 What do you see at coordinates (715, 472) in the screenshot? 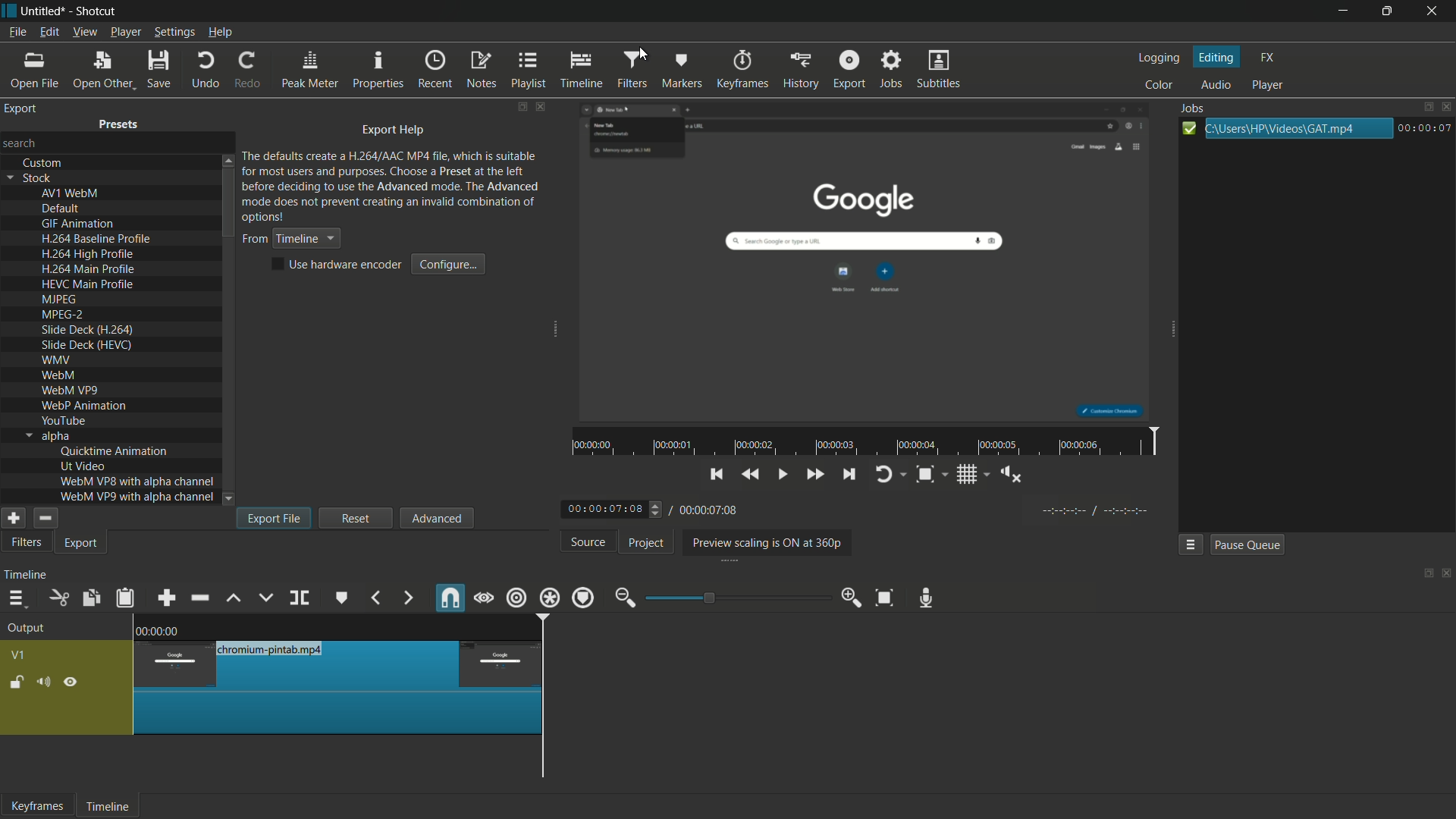
I see `skip to the previous point` at bounding box center [715, 472].